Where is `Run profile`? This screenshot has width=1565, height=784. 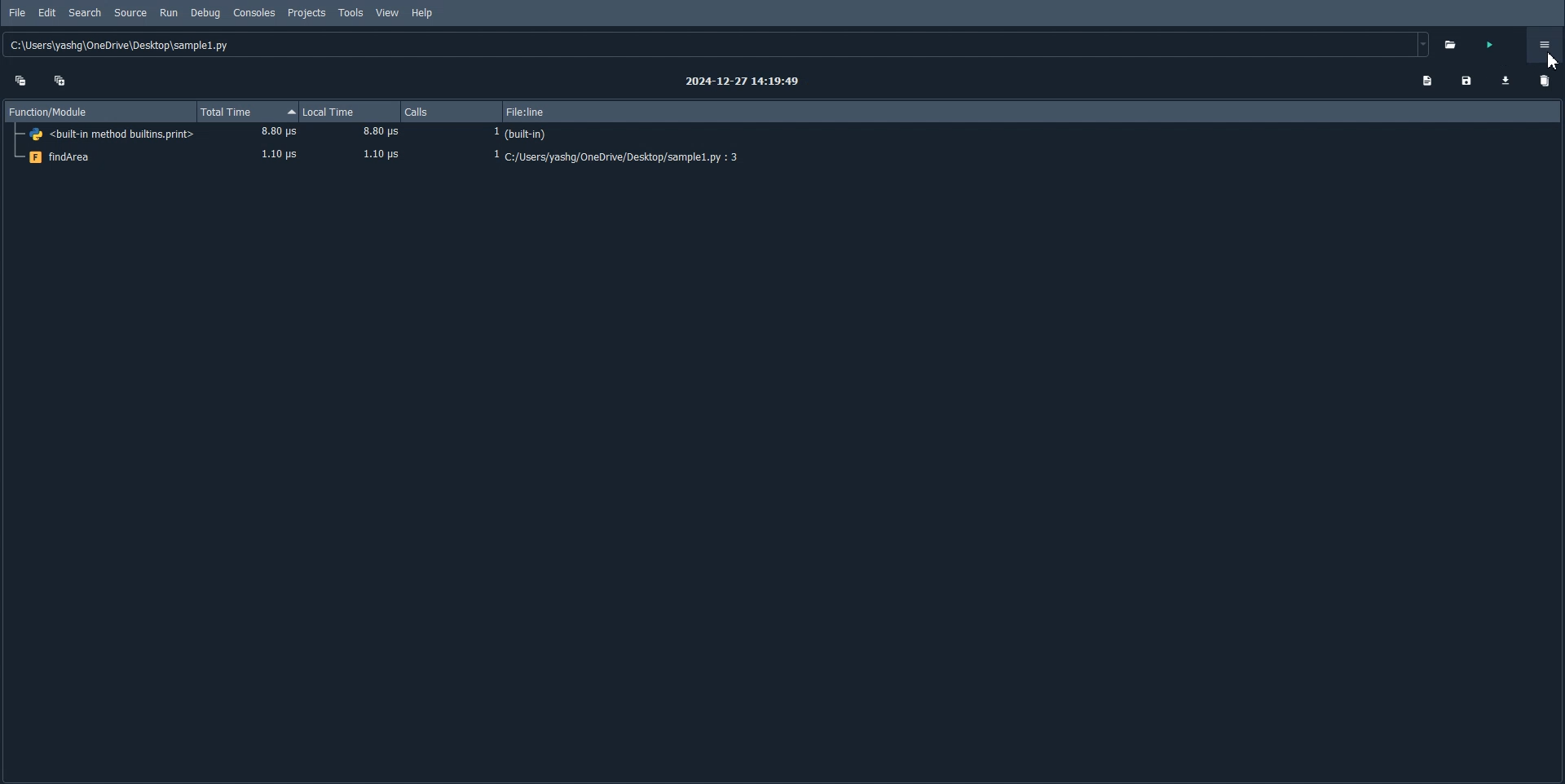
Run profile is located at coordinates (1490, 46).